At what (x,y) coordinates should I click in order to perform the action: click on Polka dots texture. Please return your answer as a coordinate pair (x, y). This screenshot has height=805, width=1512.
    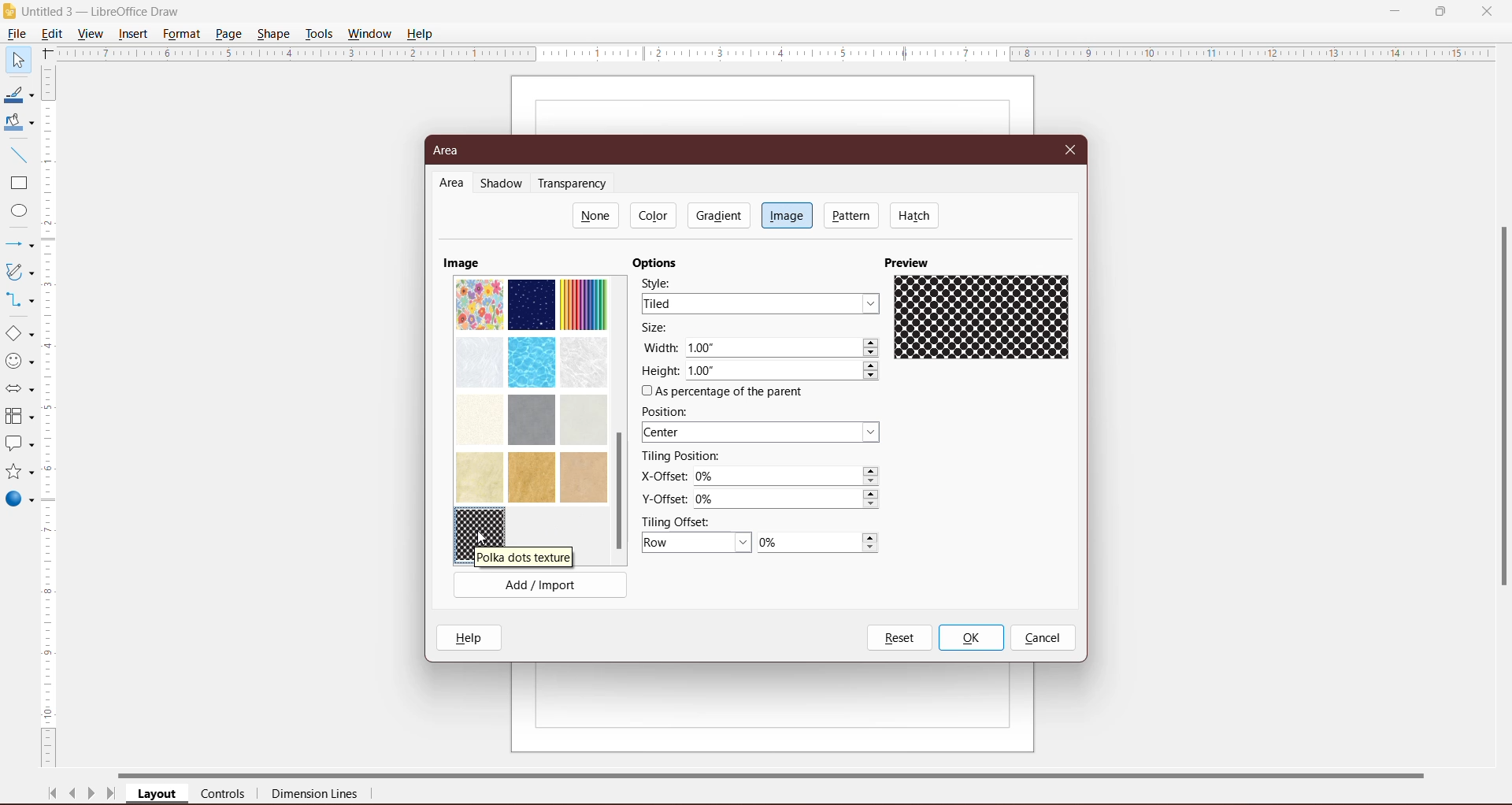
    Looking at the image, I should click on (483, 529).